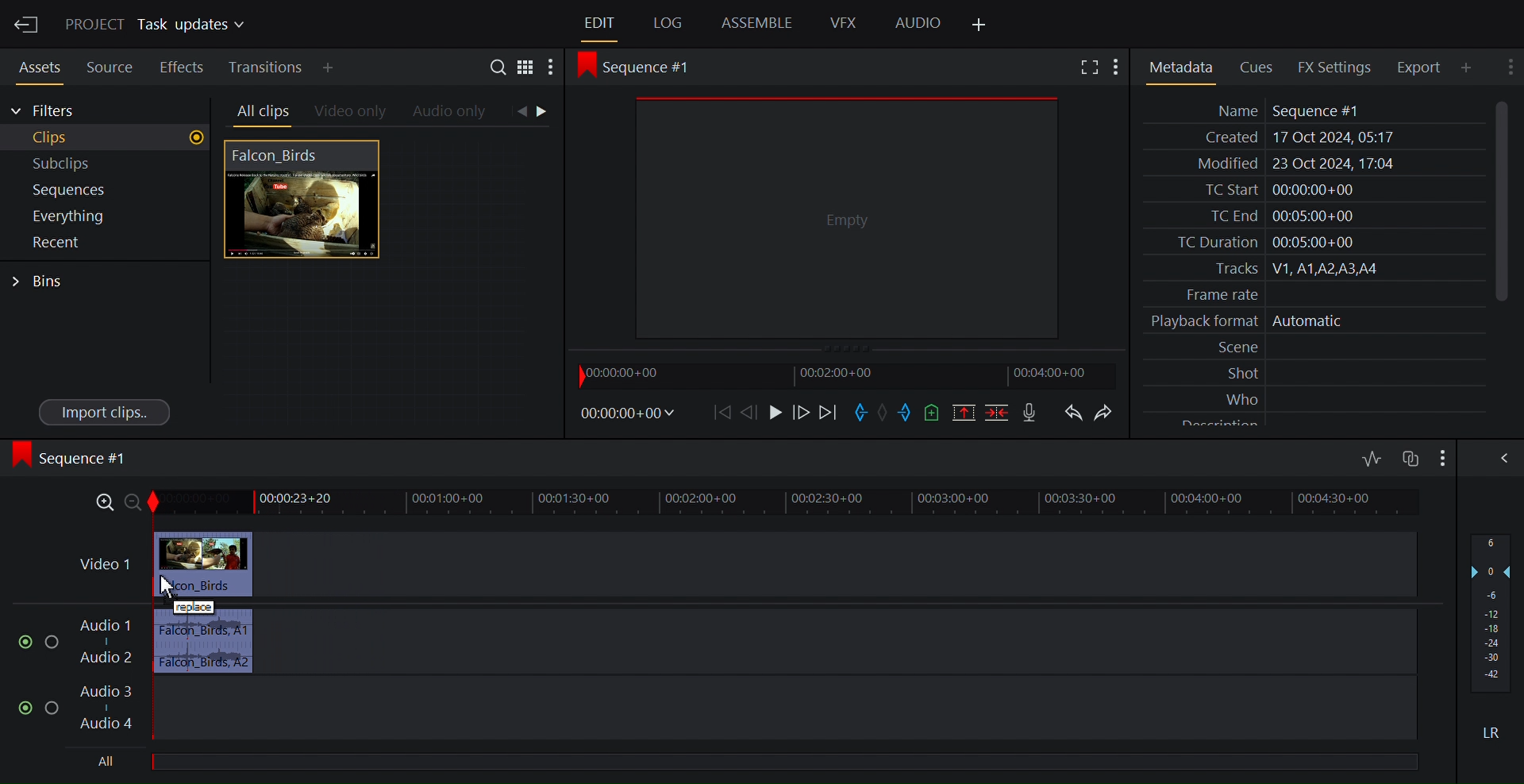  Describe the element at coordinates (601, 24) in the screenshot. I see `Edit` at that location.